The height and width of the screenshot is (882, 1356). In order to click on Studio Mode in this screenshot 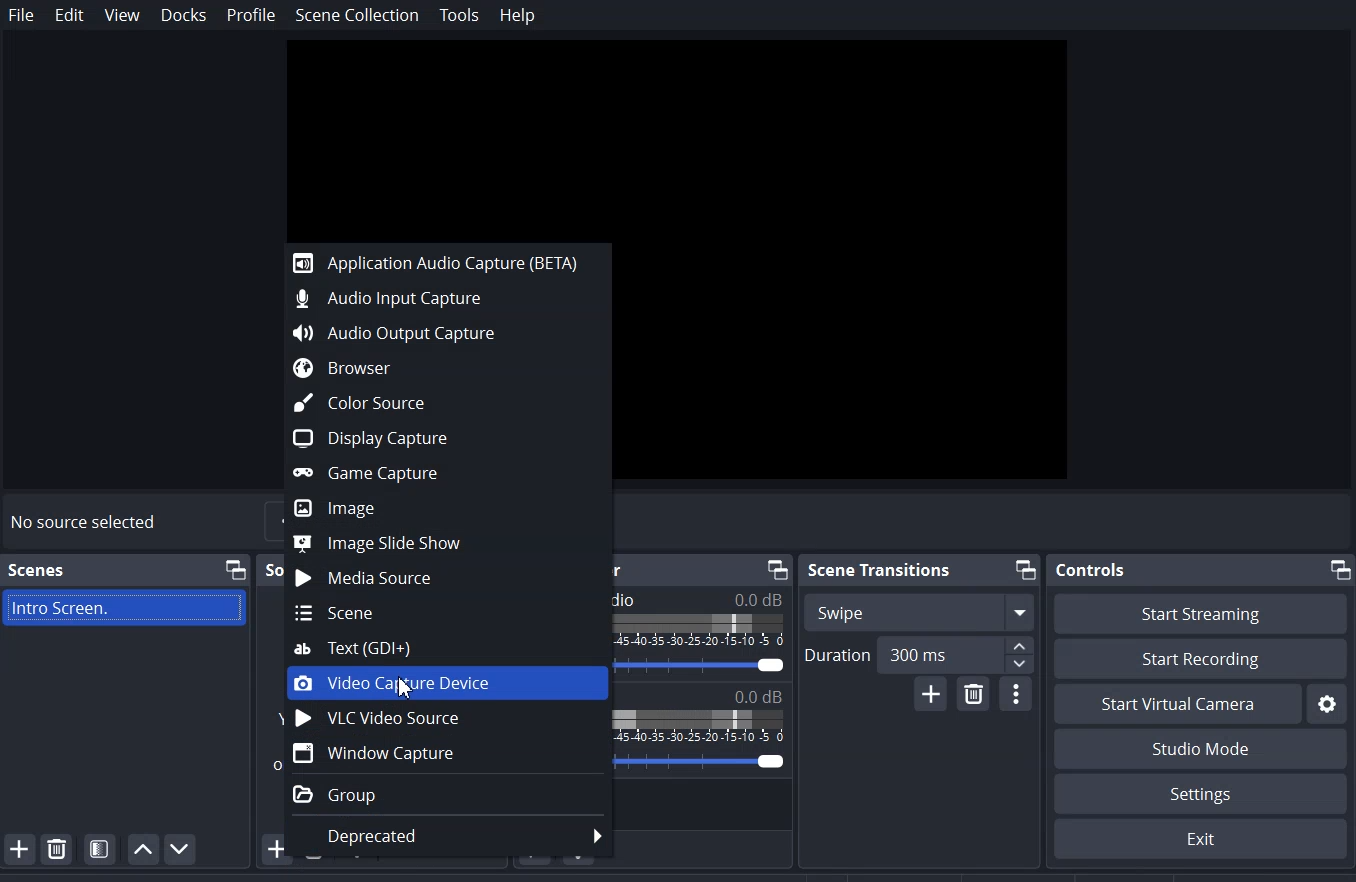, I will do `click(1199, 749)`.